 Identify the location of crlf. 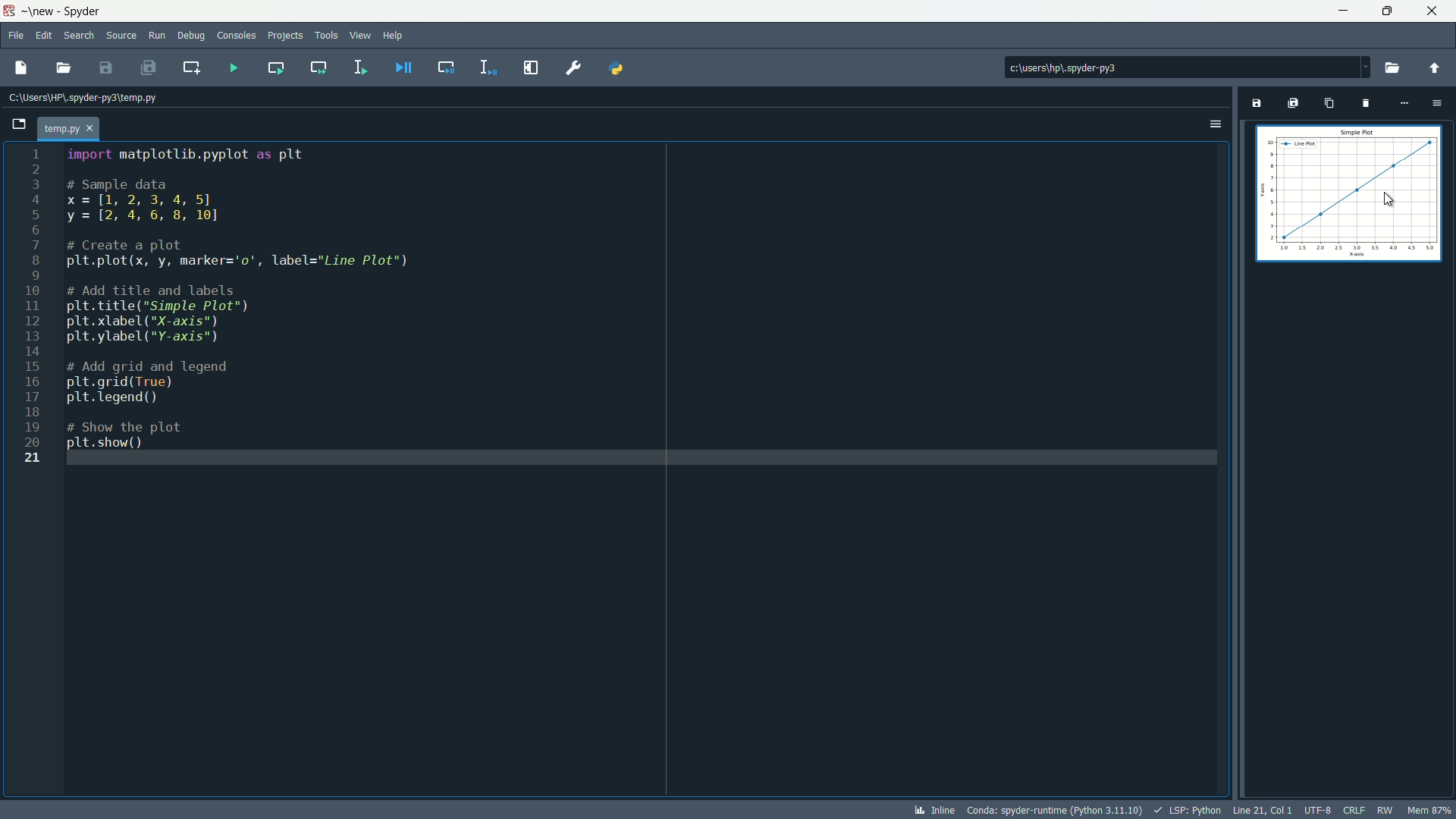
(1354, 810).